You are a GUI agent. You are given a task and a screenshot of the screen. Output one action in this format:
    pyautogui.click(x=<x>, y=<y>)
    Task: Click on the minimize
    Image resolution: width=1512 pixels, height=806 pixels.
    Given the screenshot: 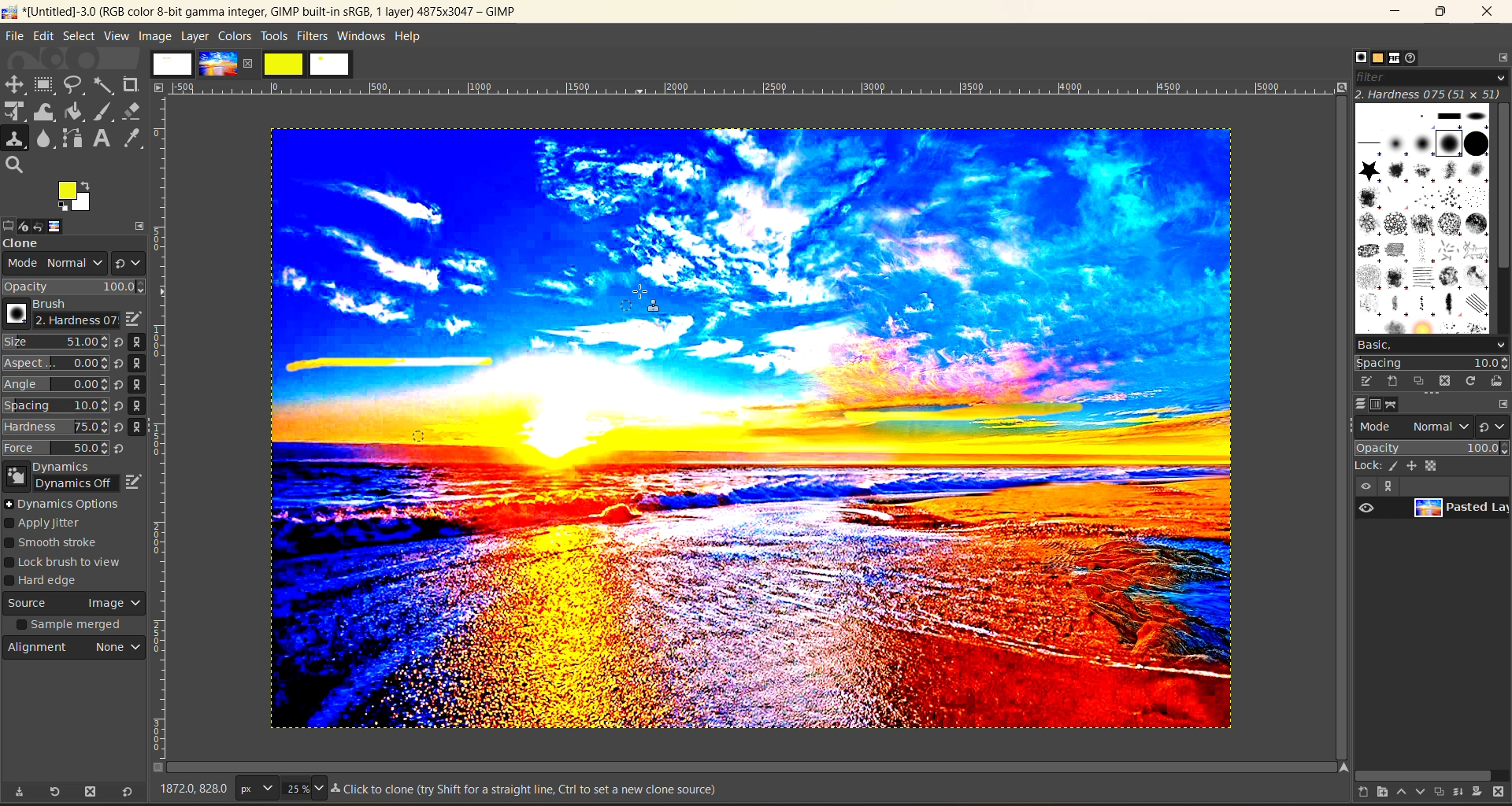 What is the action you would take?
    pyautogui.click(x=1399, y=12)
    